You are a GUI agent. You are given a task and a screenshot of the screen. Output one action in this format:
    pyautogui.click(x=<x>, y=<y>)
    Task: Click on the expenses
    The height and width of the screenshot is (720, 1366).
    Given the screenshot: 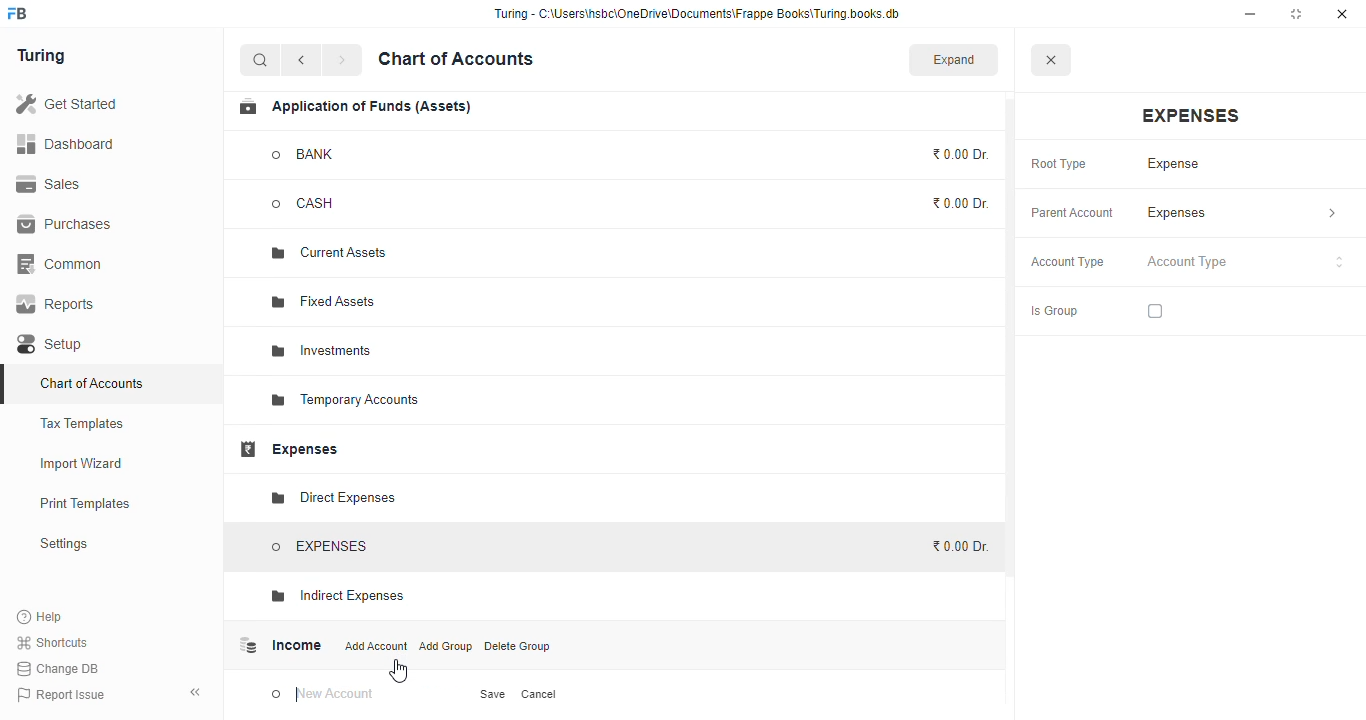 What is the action you would take?
    pyautogui.click(x=288, y=449)
    